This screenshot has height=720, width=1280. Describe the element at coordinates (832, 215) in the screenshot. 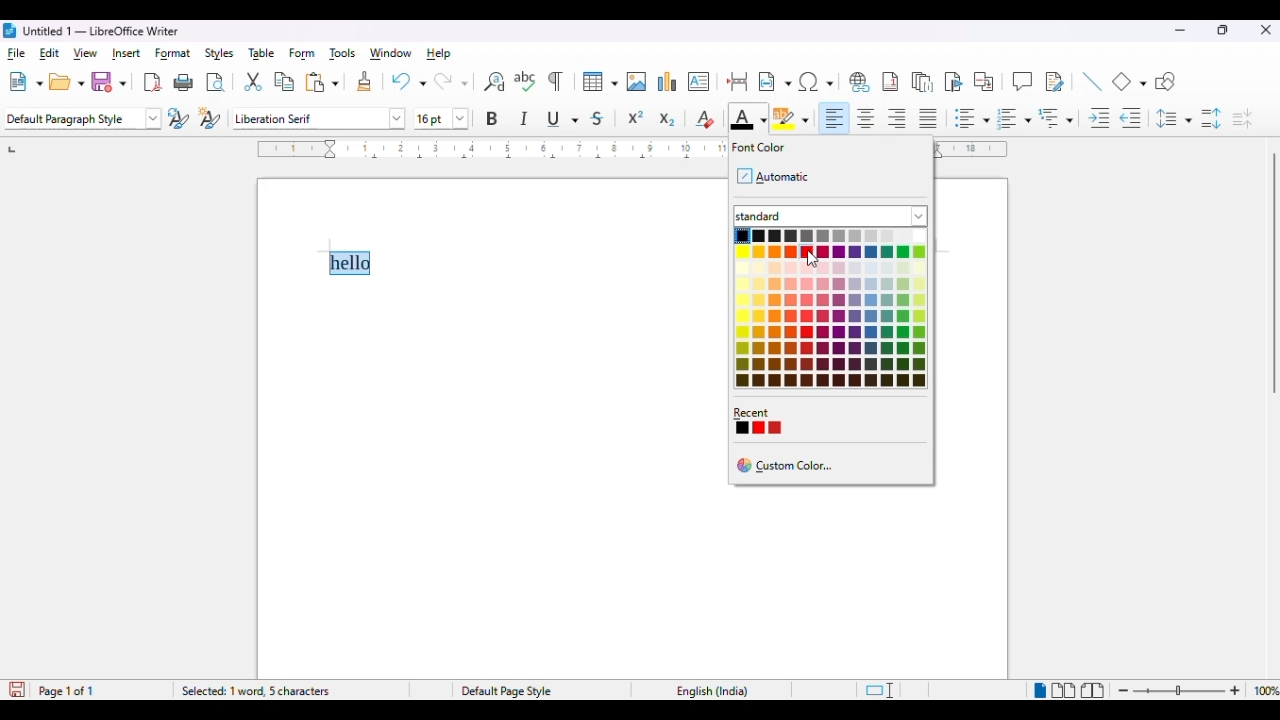

I see `standard` at that location.